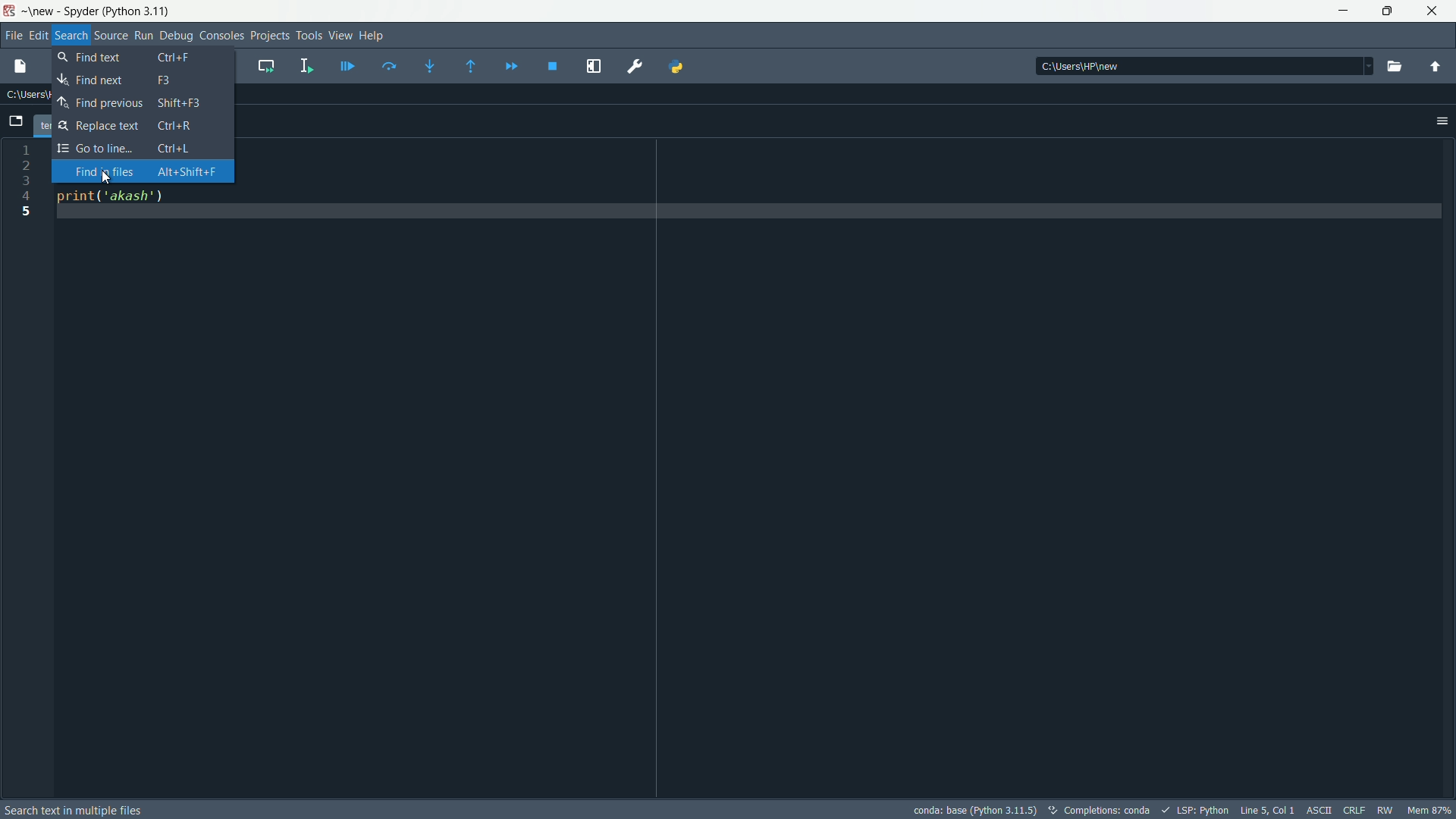  I want to click on find previous, so click(140, 102).